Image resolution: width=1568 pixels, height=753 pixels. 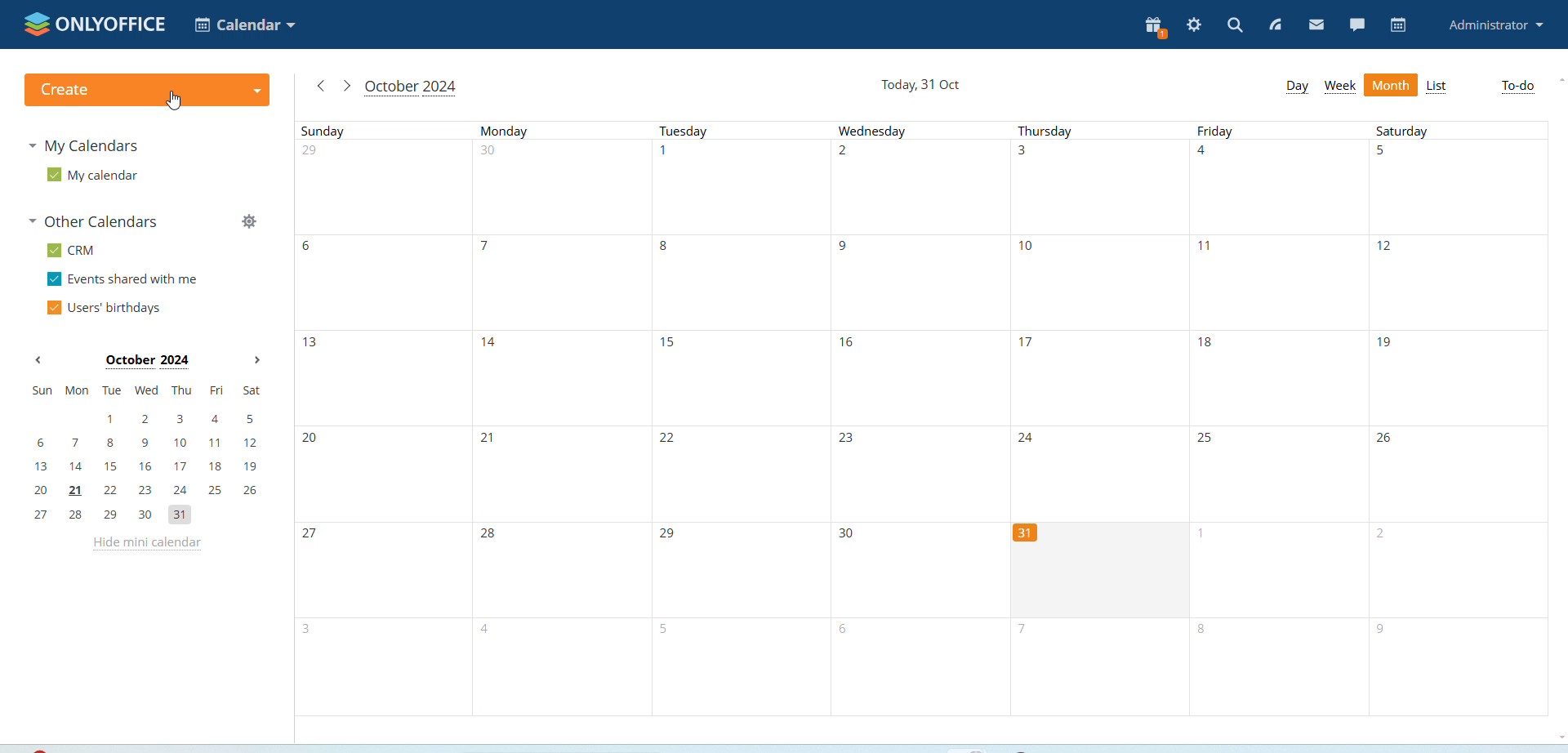 What do you see at coordinates (105, 308) in the screenshot?
I see `users' birthdays` at bounding box center [105, 308].